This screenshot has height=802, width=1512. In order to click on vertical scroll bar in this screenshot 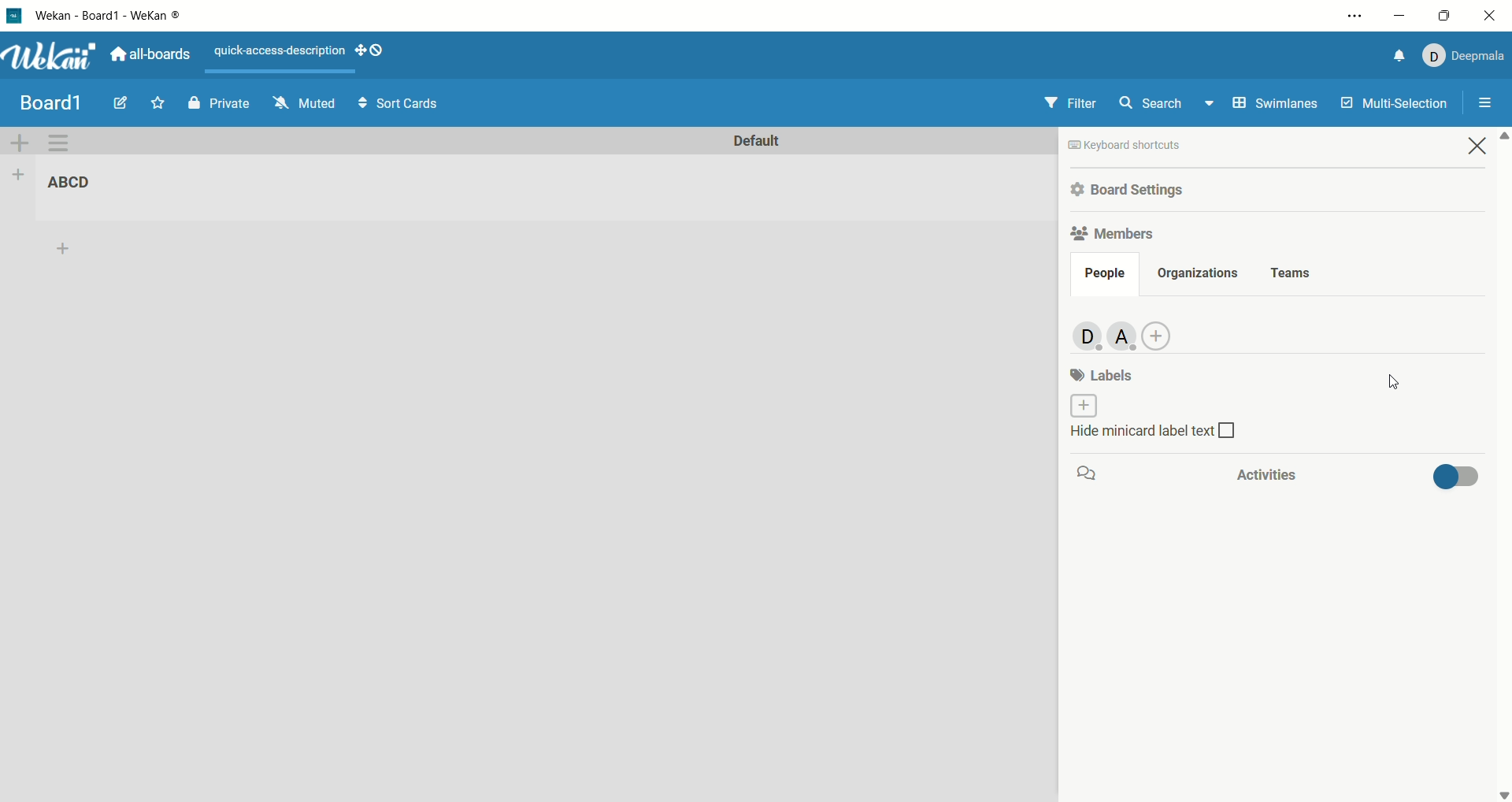, I will do `click(1503, 465)`.